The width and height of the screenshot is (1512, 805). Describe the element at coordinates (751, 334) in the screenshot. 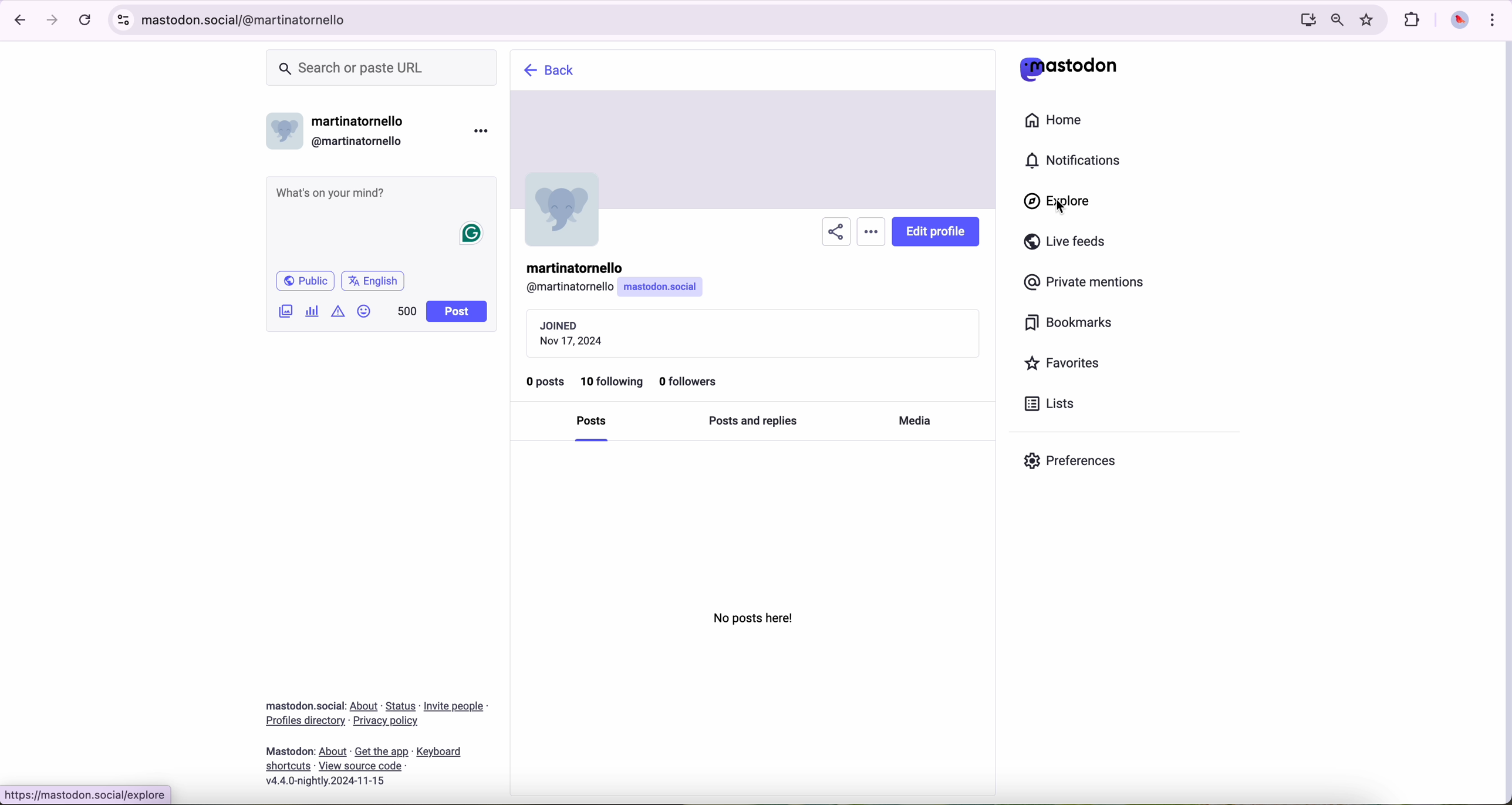

I see `date of join` at that location.